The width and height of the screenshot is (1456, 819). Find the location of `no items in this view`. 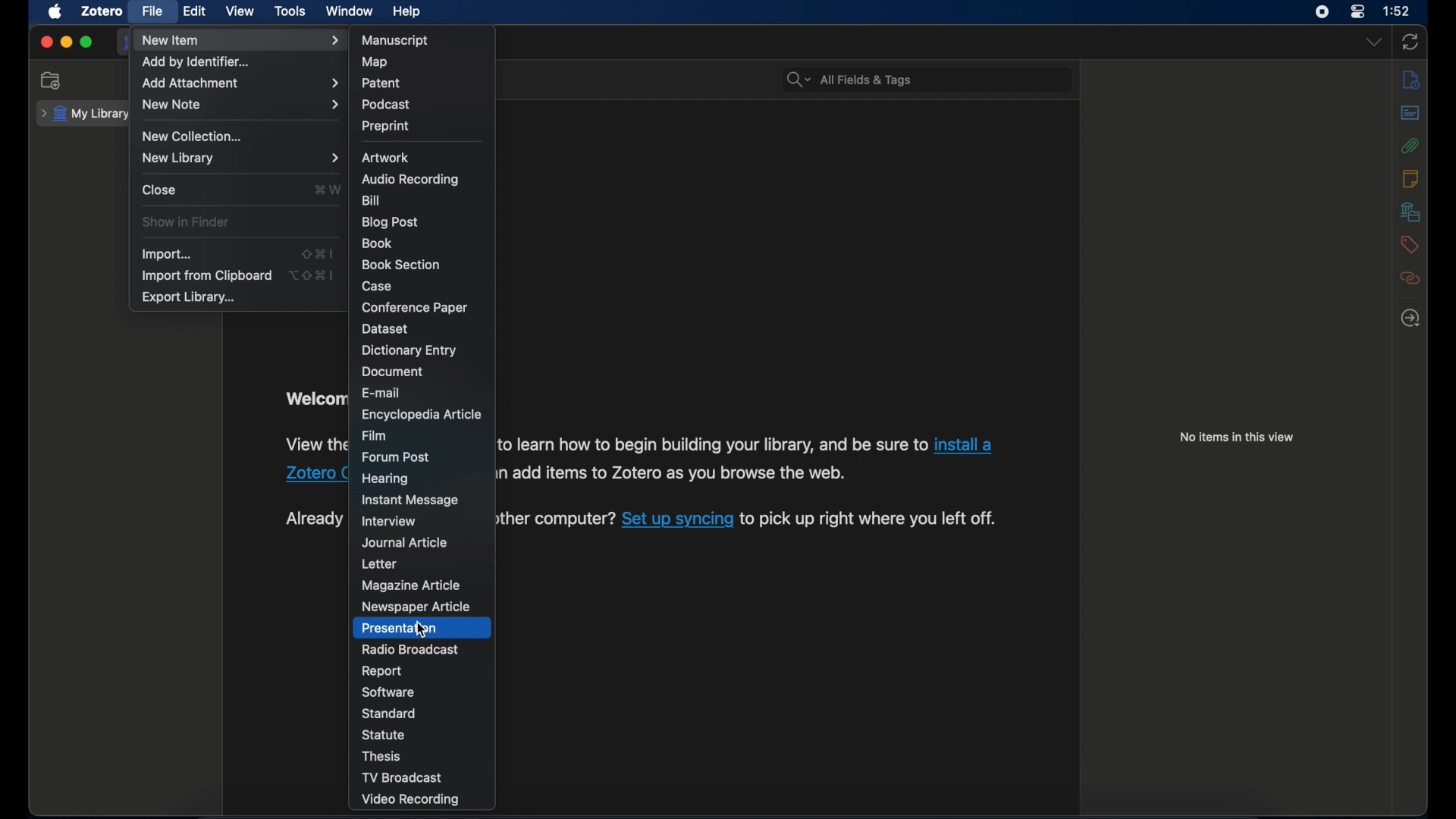

no items in this view is located at coordinates (1237, 438).